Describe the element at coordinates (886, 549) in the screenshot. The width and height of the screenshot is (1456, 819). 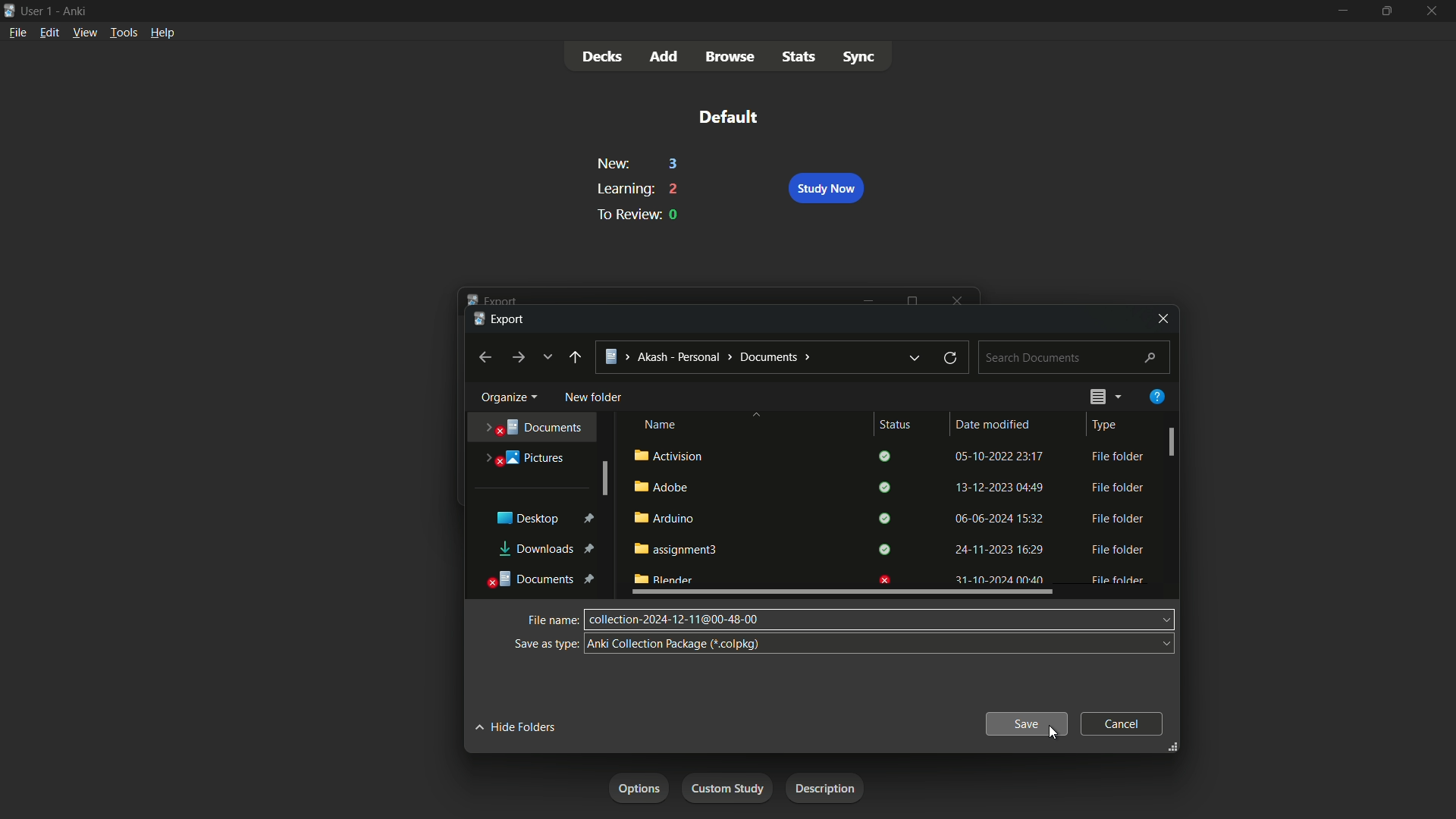
I see `folder-4` at that location.